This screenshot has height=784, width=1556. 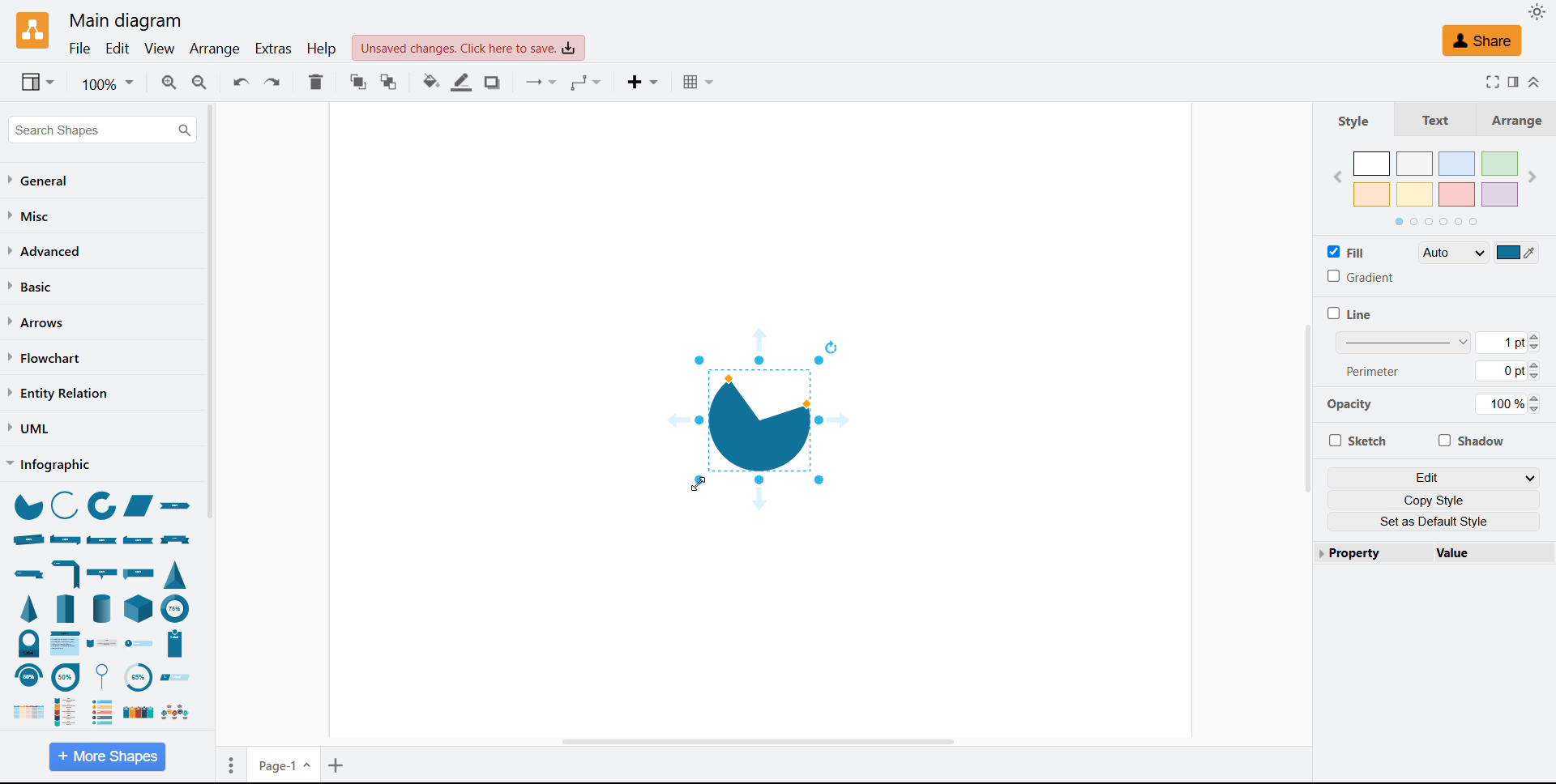 I want to click on To front , so click(x=359, y=82).